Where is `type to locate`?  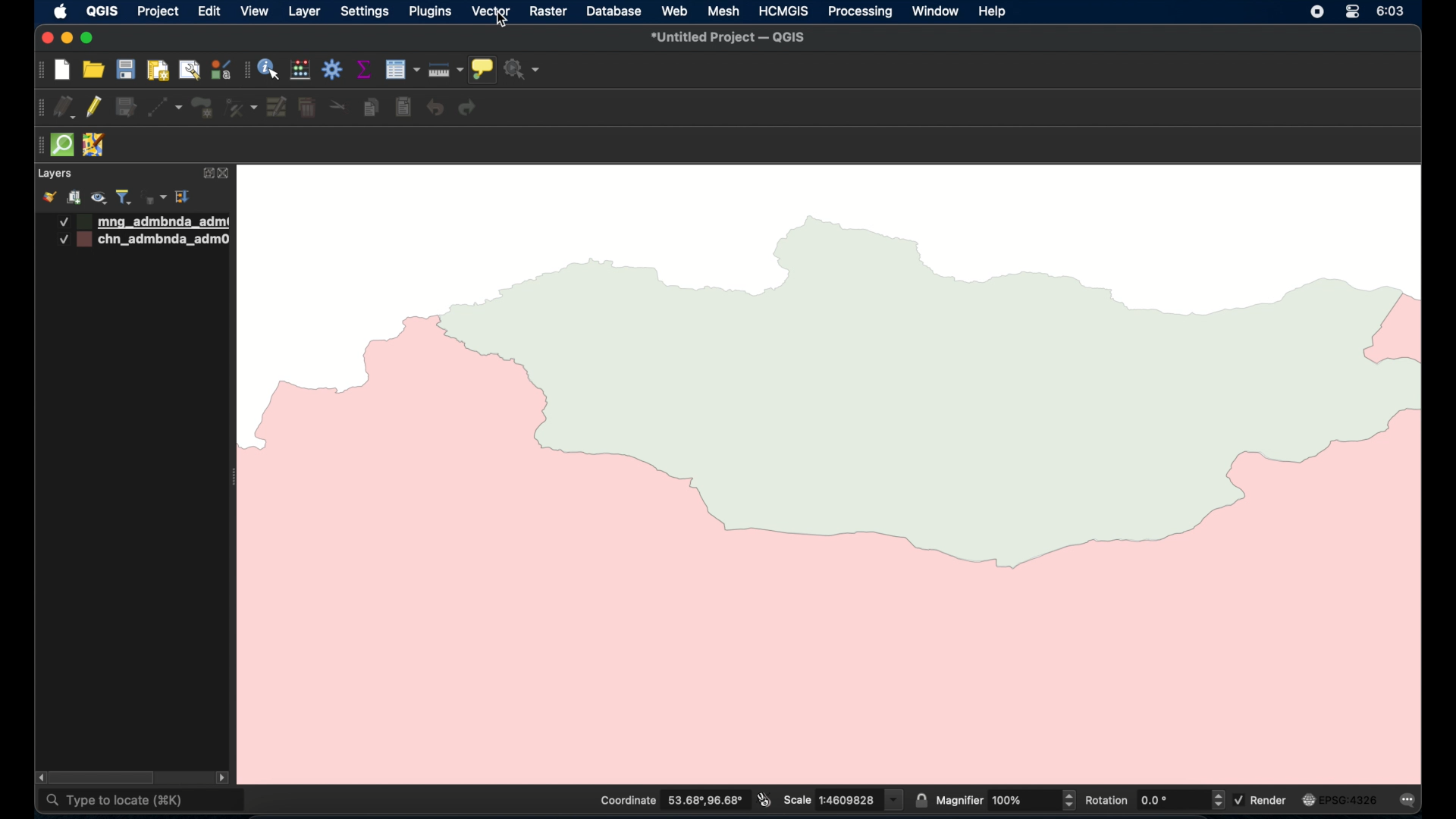
type to locate is located at coordinates (143, 802).